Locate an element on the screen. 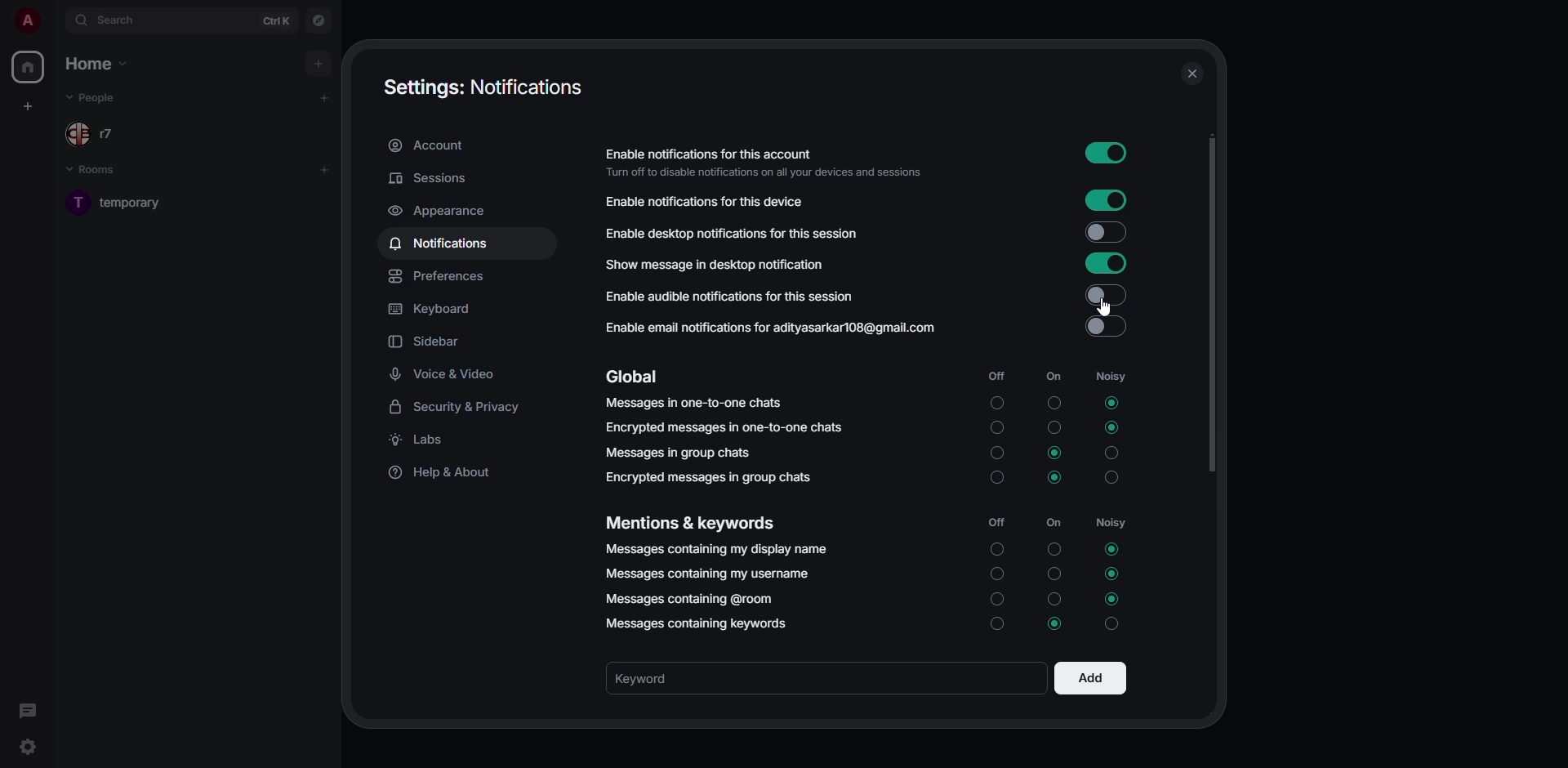  navigator is located at coordinates (319, 22).